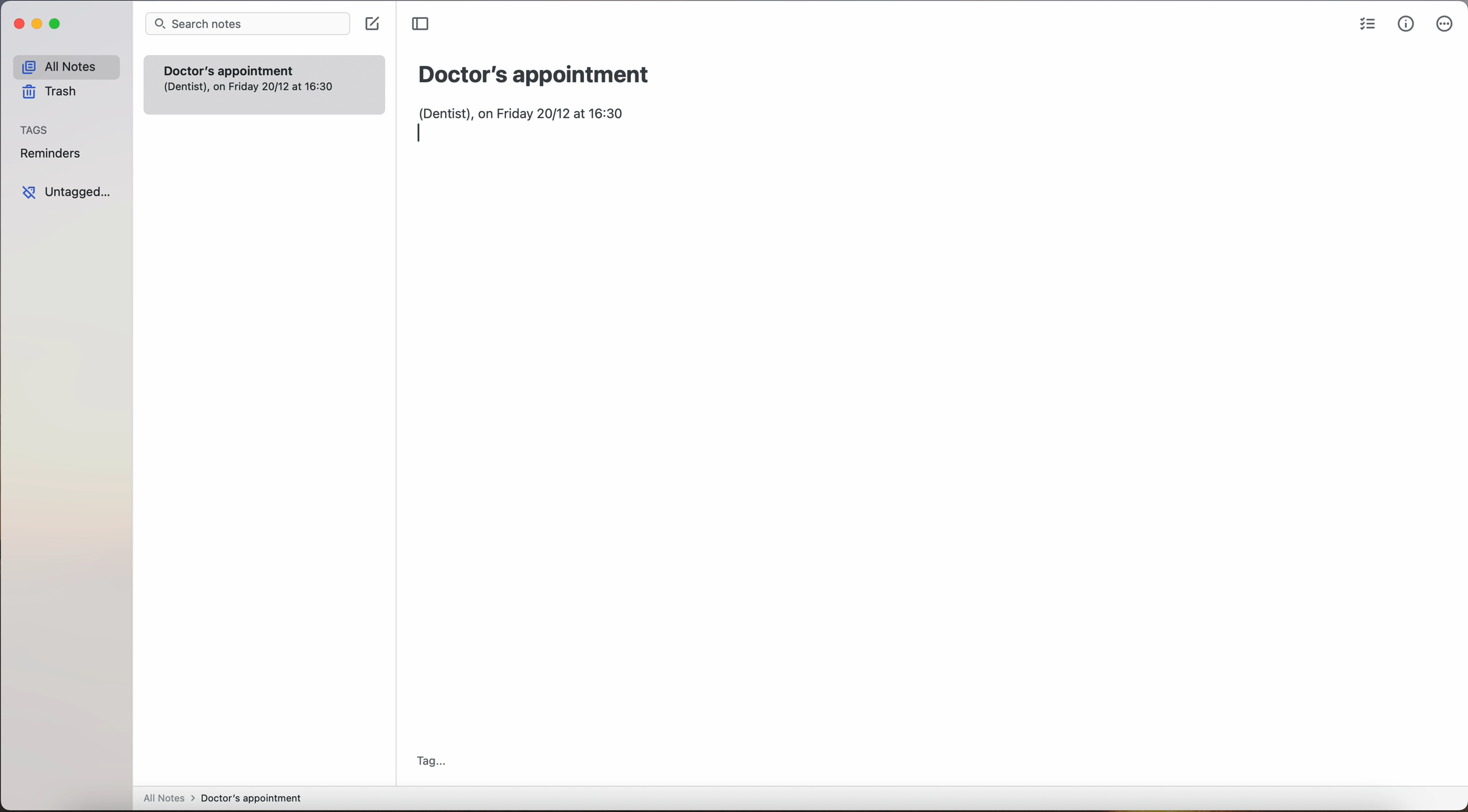 The image size is (1468, 812). What do you see at coordinates (35, 130) in the screenshot?
I see `tags` at bounding box center [35, 130].